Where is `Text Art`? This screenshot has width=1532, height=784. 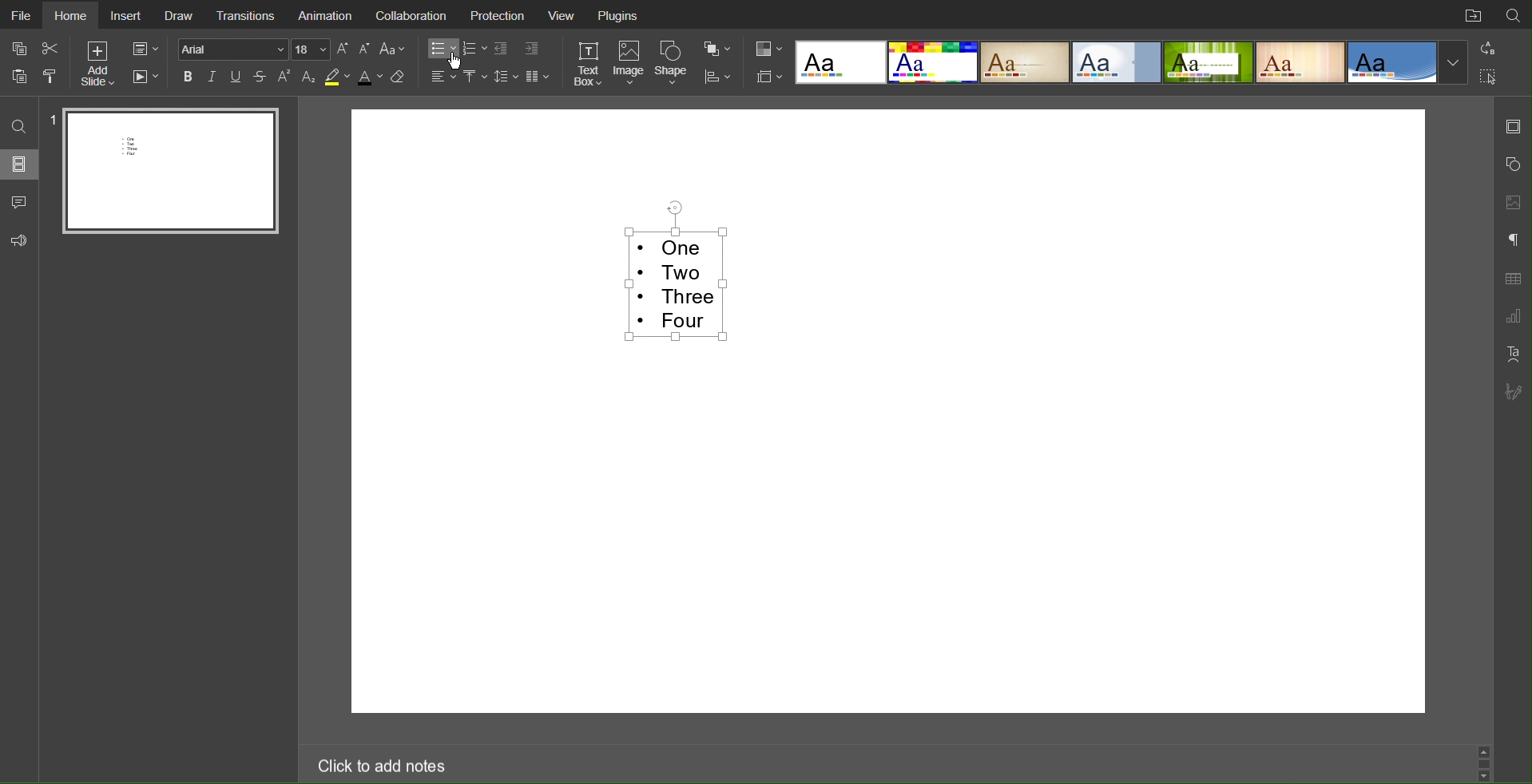 Text Art is located at coordinates (1512, 353).